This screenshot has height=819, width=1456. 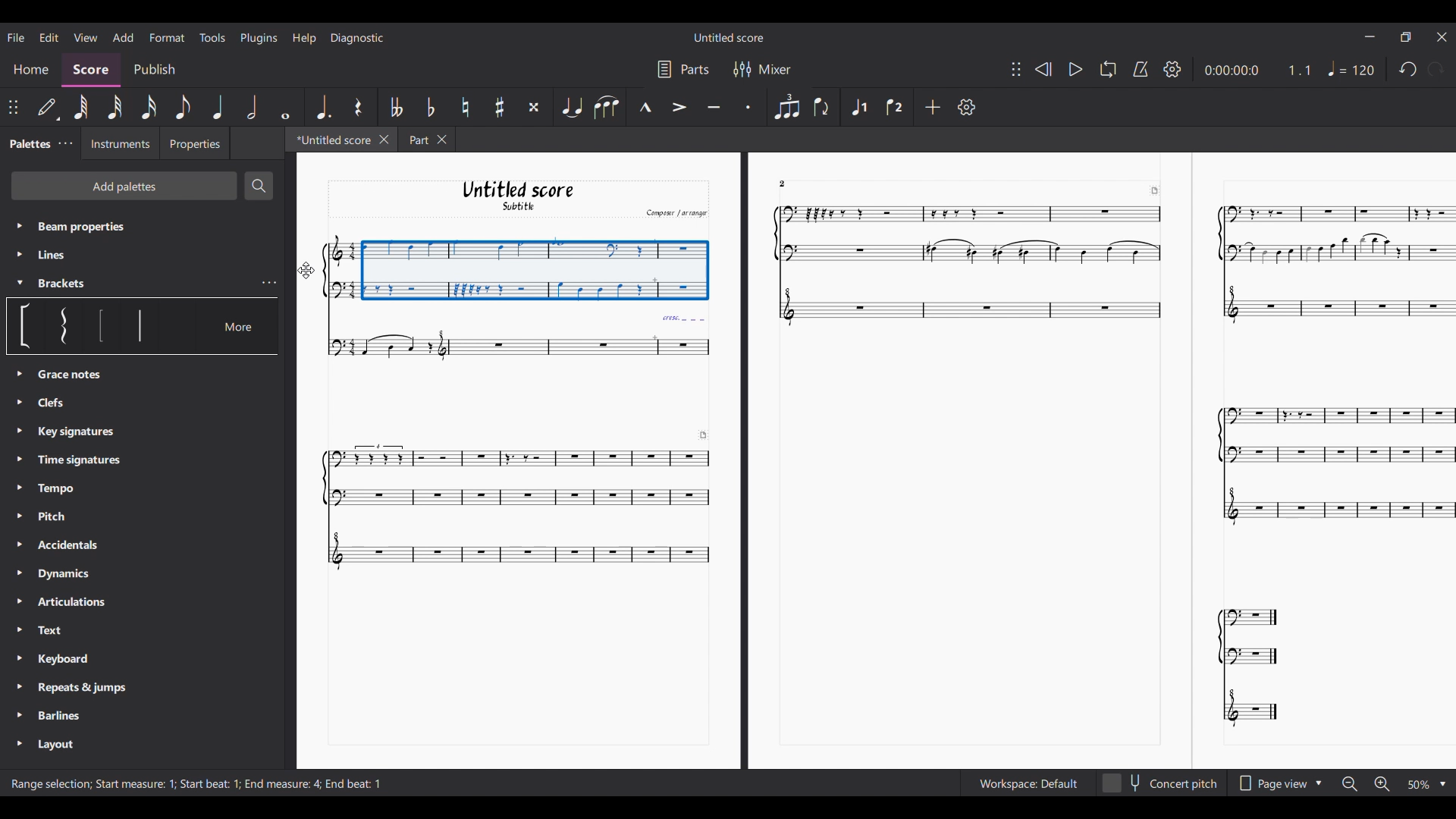 What do you see at coordinates (20, 659) in the screenshot?
I see `` at bounding box center [20, 659].